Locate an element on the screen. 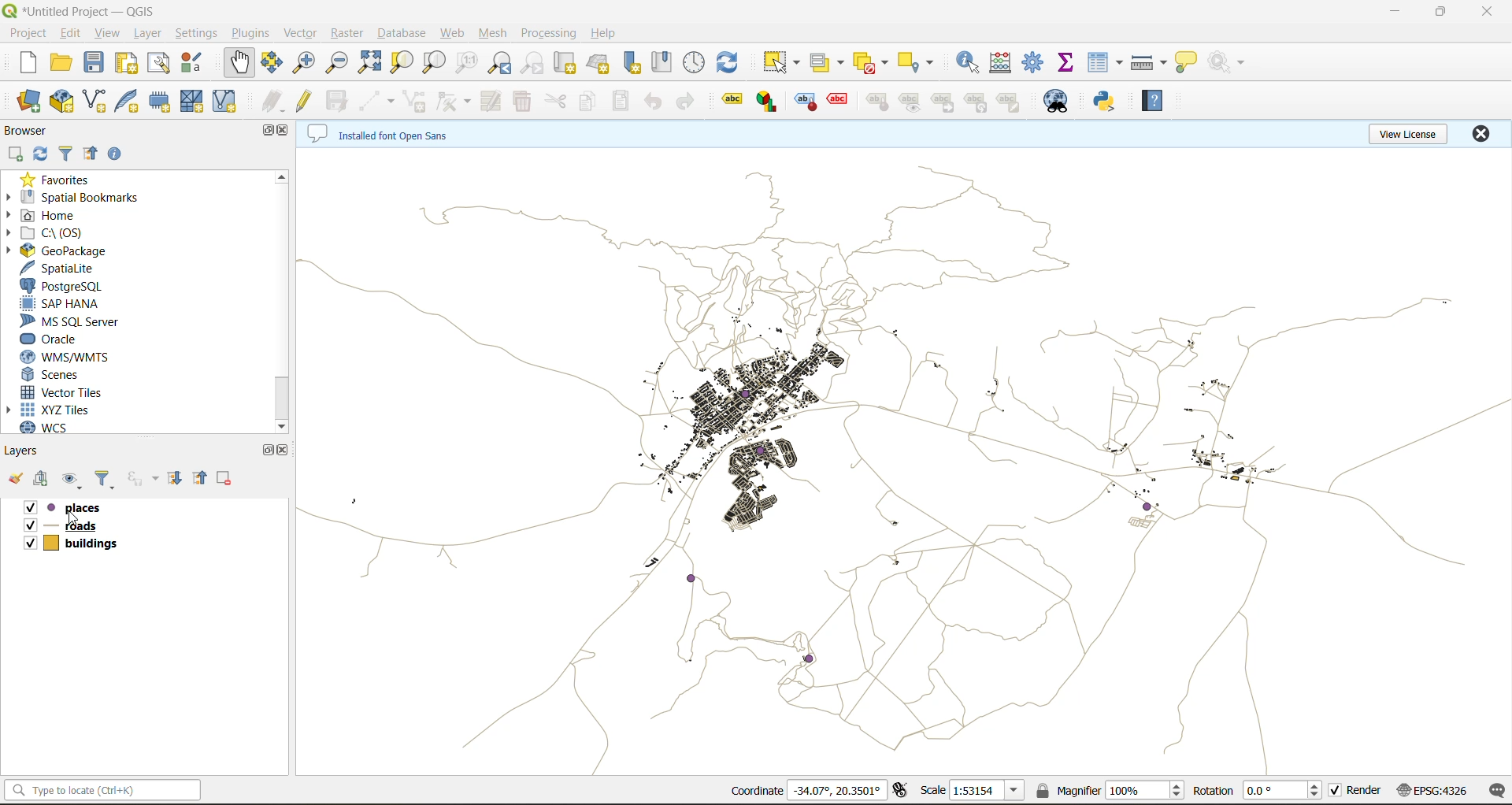 The image size is (1512, 805). new is located at coordinates (24, 63).